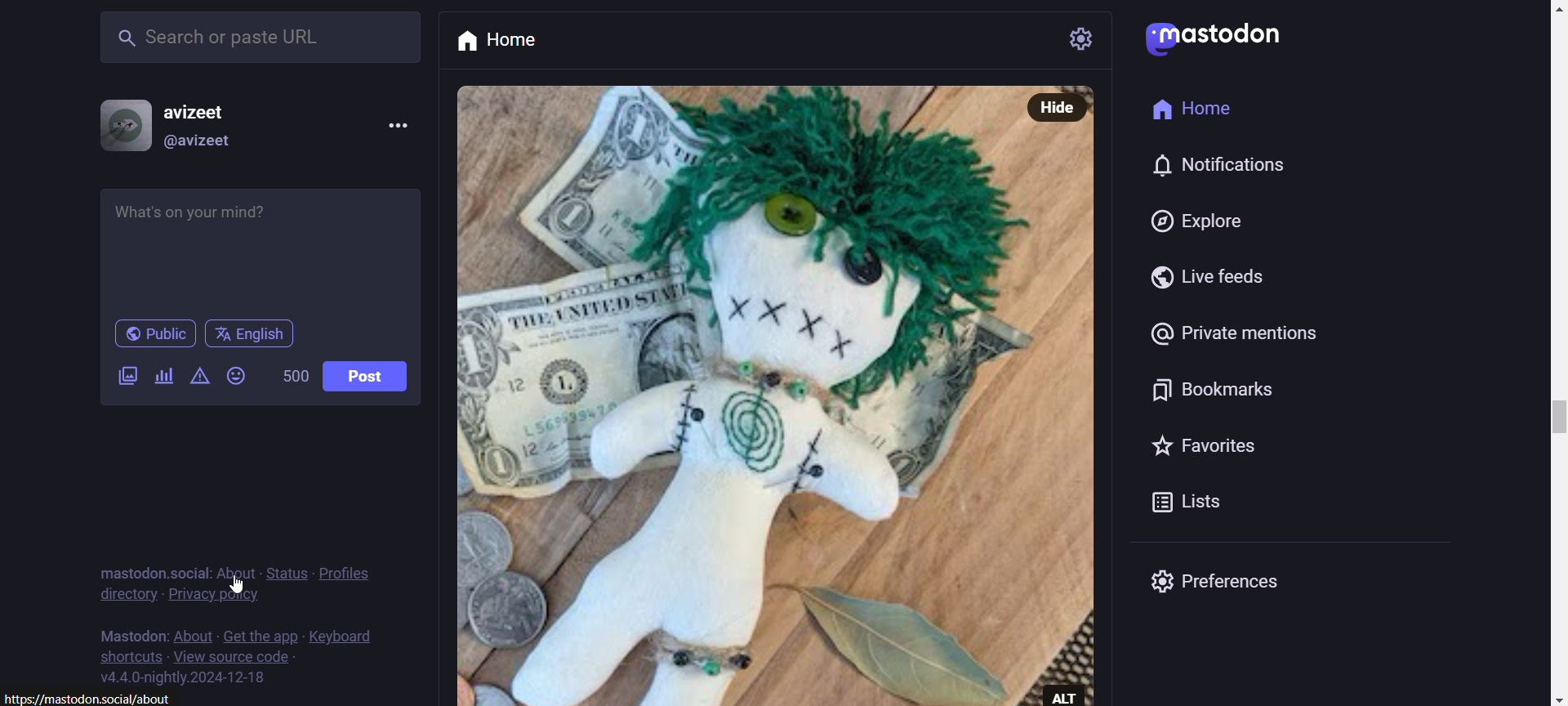  Describe the element at coordinates (1232, 336) in the screenshot. I see `private mentions` at that location.